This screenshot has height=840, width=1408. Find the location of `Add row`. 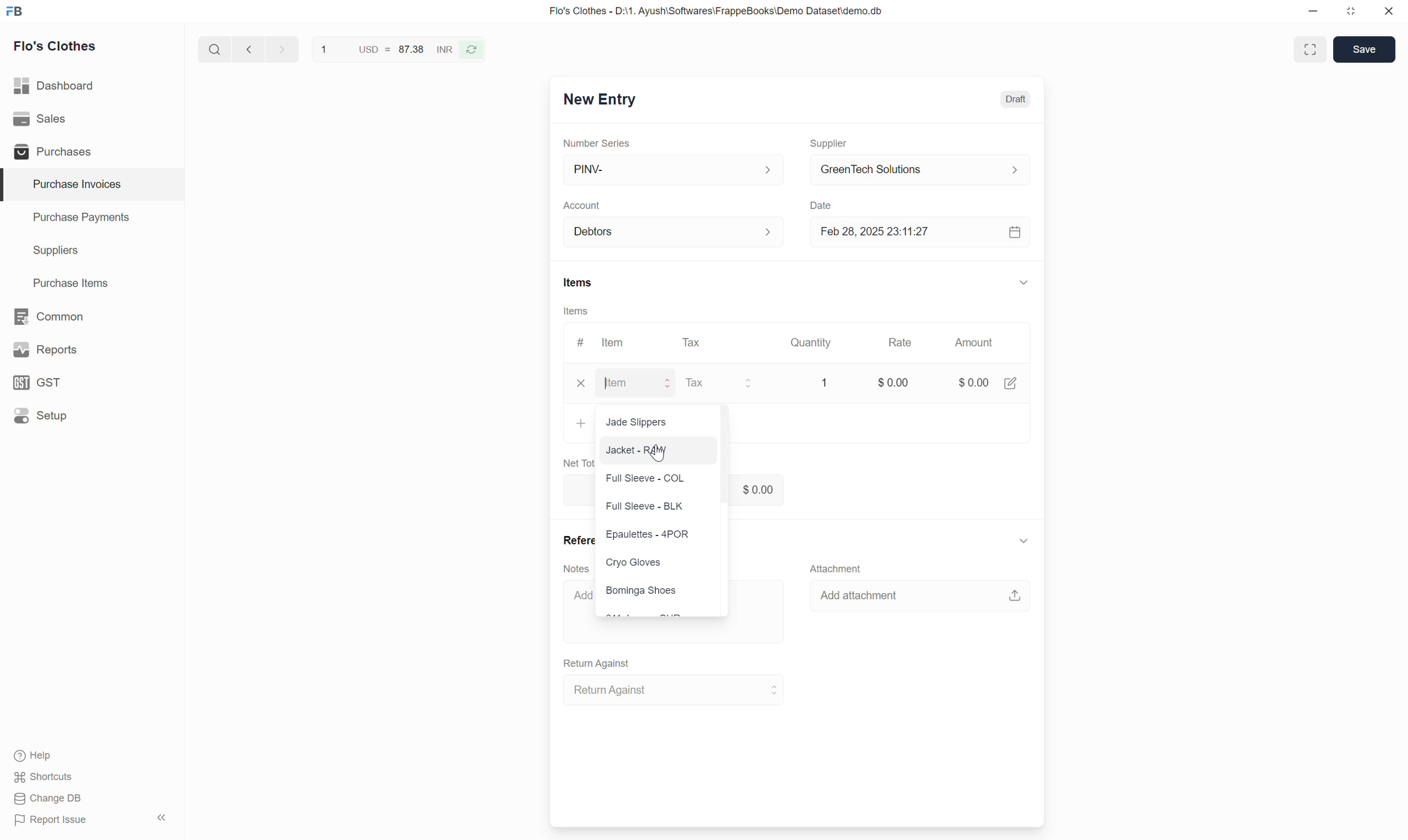

Add row is located at coordinates (579, 422).